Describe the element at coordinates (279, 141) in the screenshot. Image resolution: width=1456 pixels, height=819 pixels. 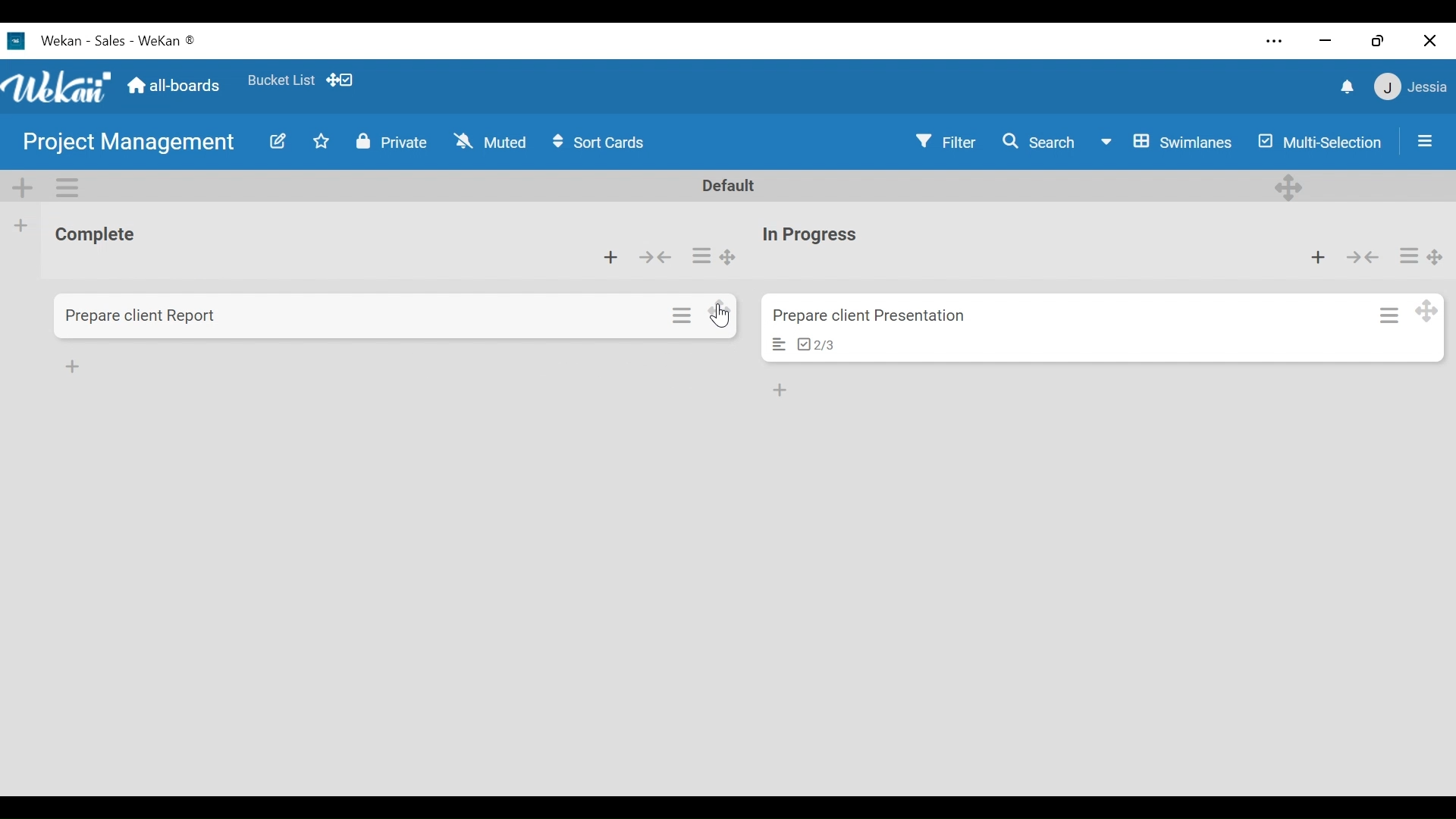
I see `Edit` at that location.